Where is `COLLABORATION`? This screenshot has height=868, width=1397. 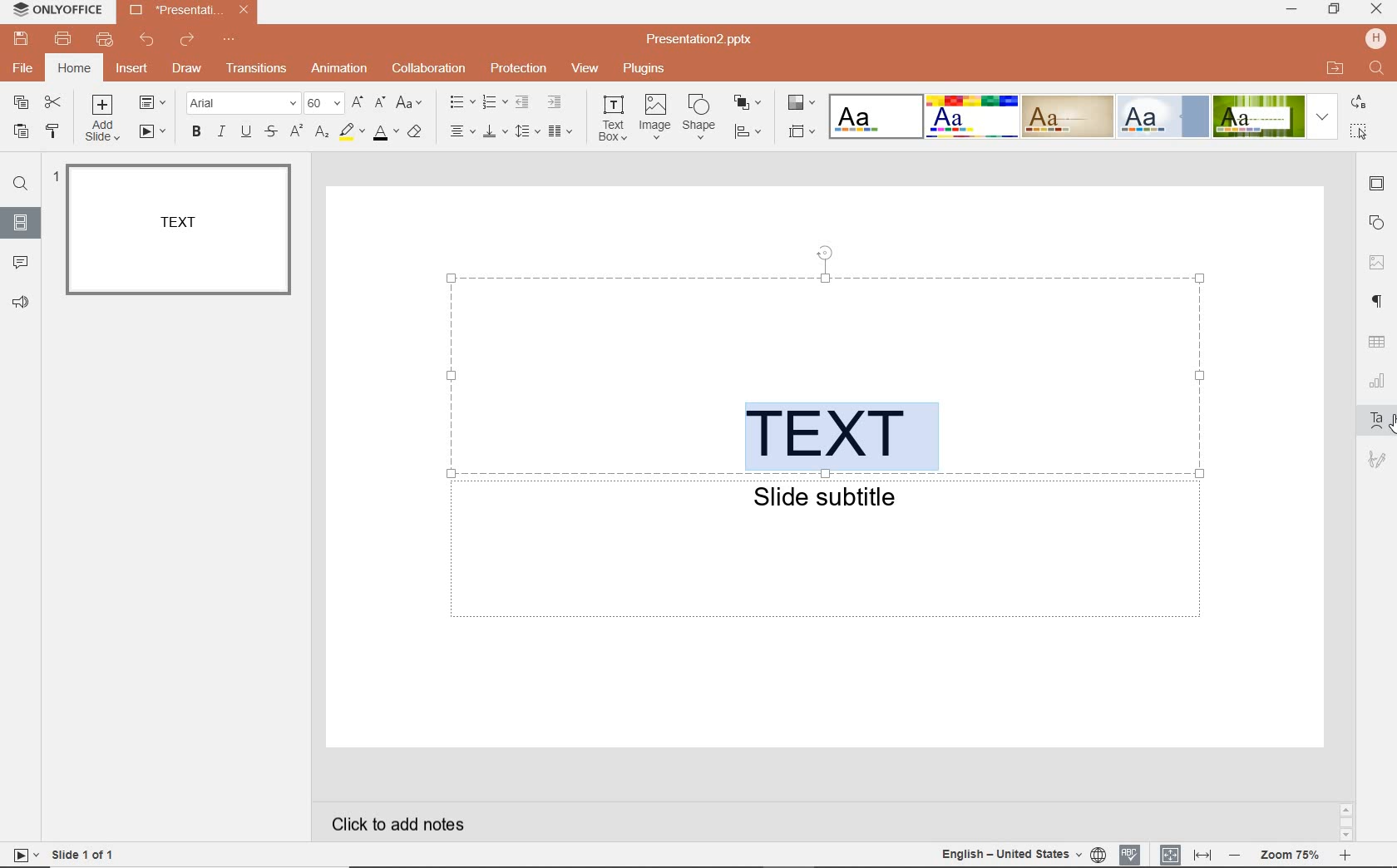
COLLABORATION is located at coordinates (429, 67).